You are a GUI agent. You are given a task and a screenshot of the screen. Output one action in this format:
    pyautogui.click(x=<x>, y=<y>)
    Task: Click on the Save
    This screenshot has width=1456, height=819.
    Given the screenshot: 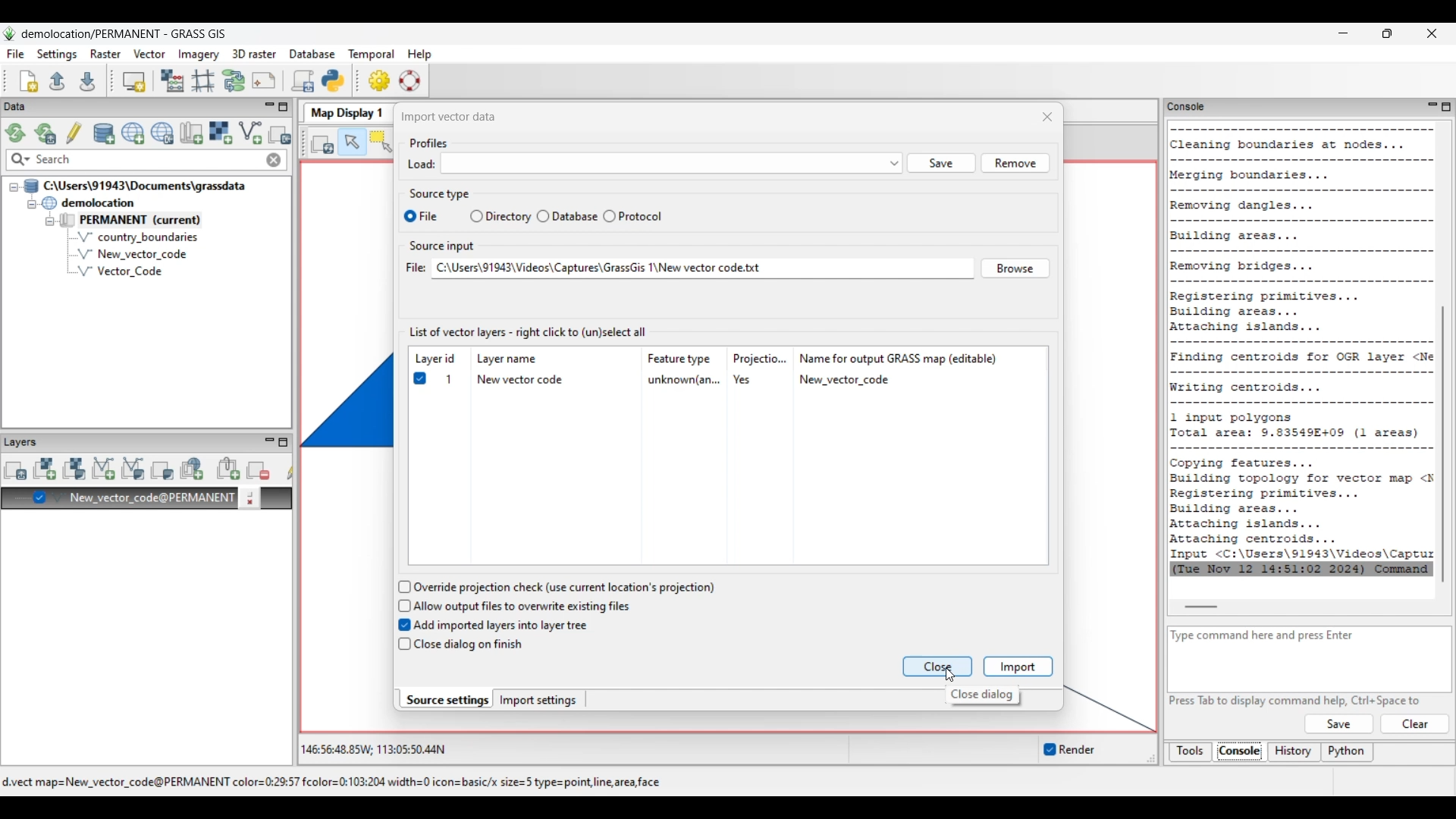 What is the action you would take?
    pyautogui.click(x=941, y=164)
    